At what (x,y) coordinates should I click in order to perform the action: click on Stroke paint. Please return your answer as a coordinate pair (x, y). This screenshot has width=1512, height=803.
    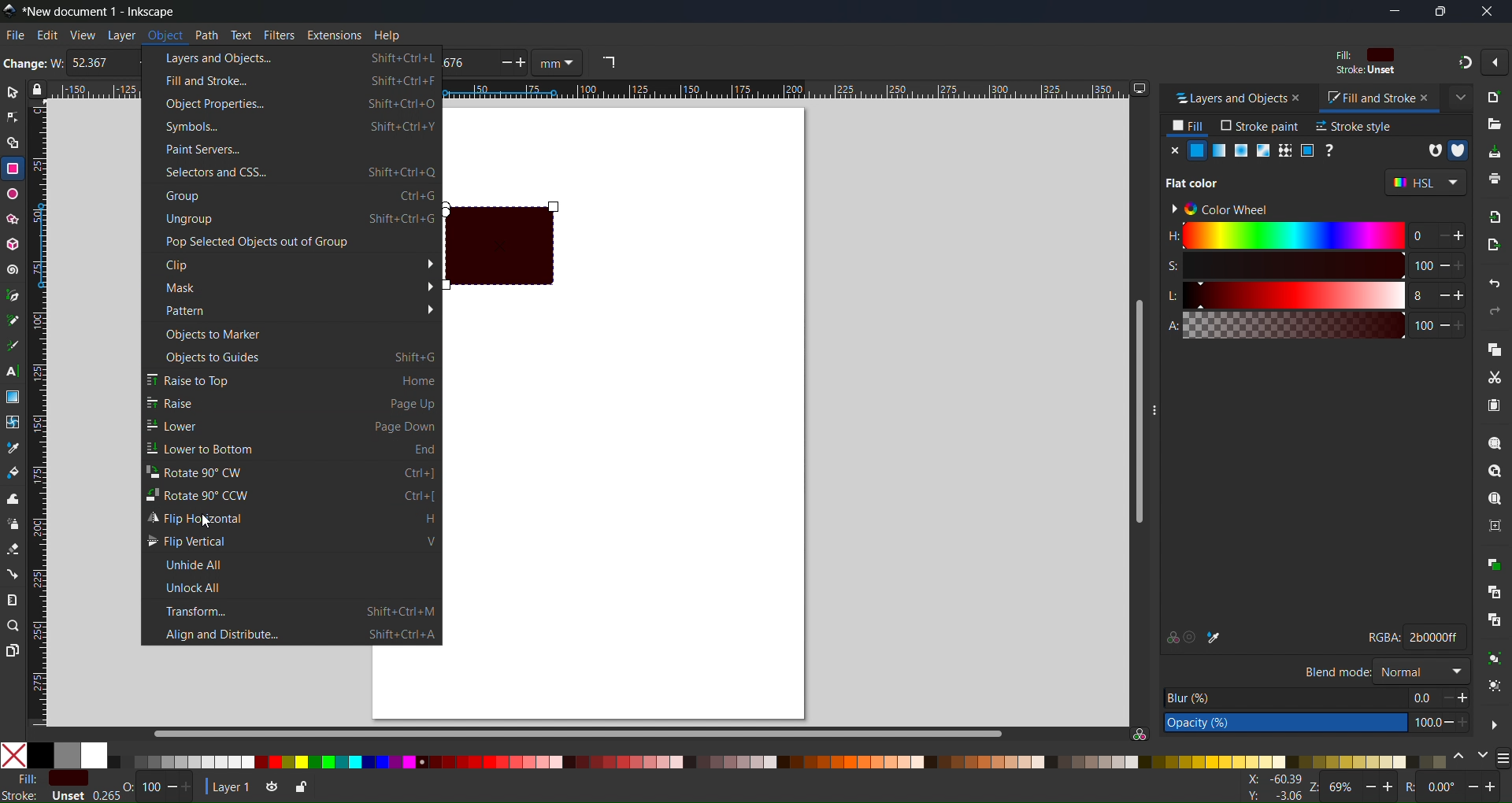
    Looking at the image, I should click on (1260, 126).